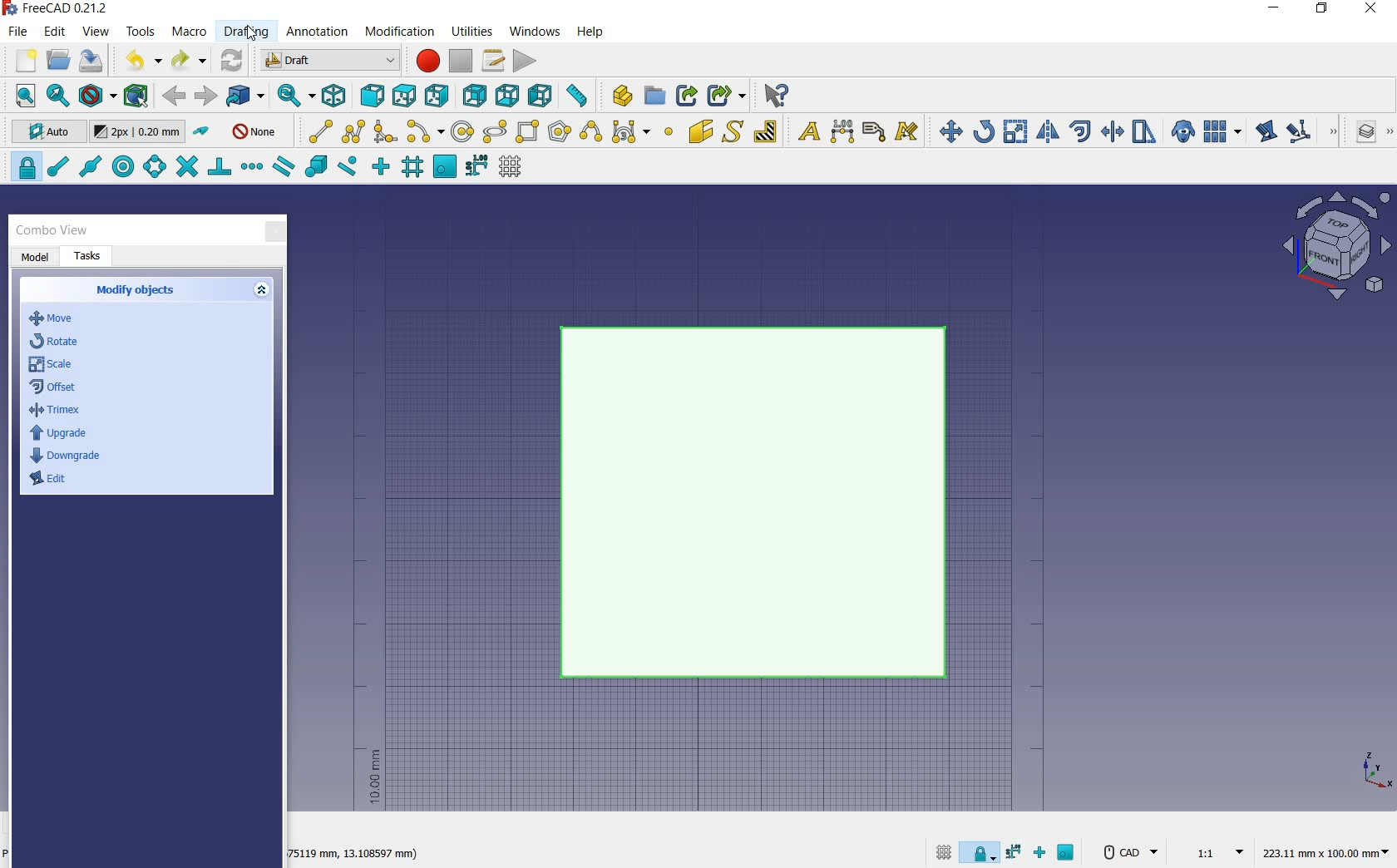  Describe the element at coordinates (512, 167) in the screenshot. I see `toggle grid` at that location.